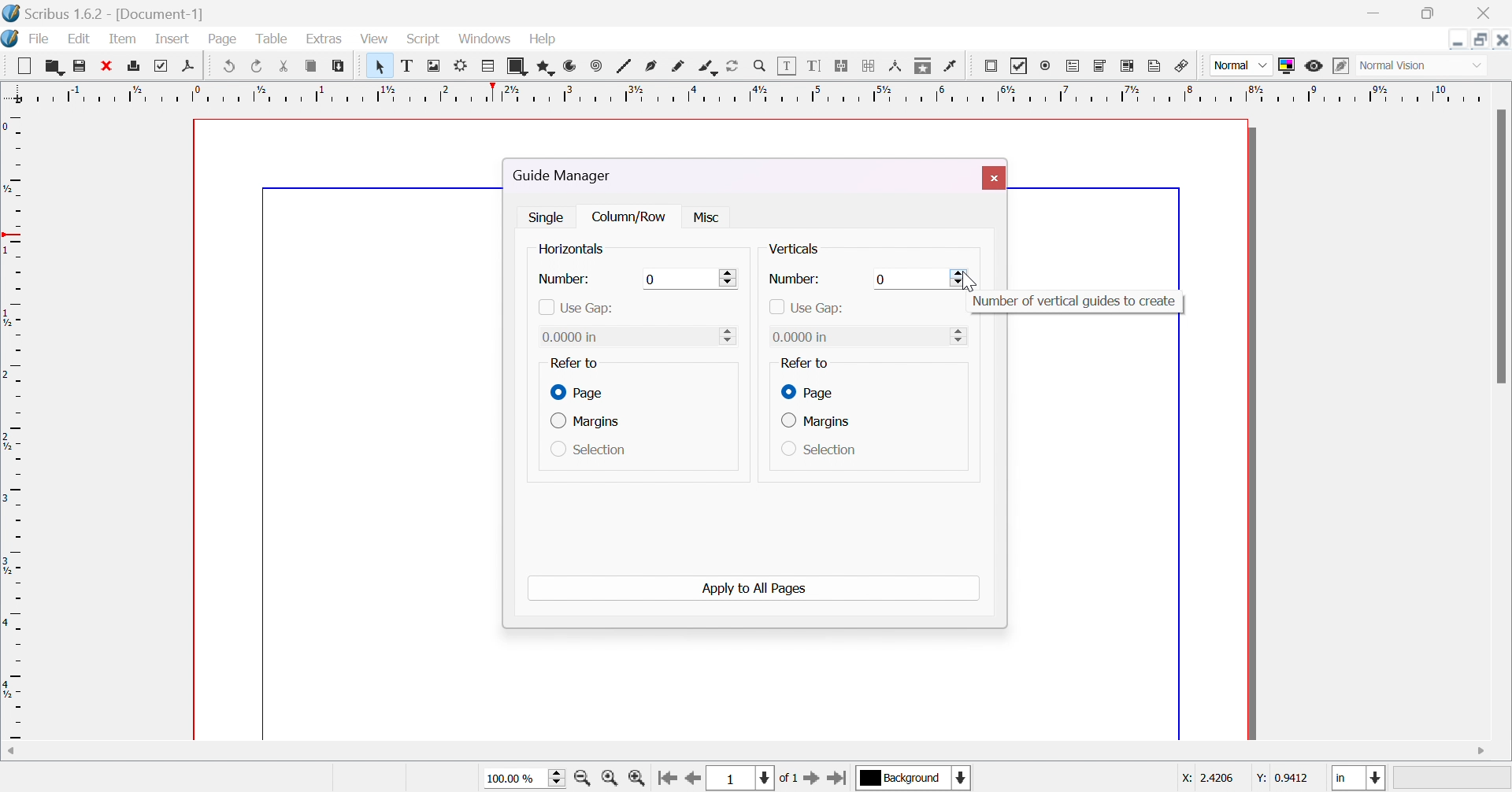 The width and height of the screenshot is (1512, 792). I want to click on select current page, so click(755, 778).